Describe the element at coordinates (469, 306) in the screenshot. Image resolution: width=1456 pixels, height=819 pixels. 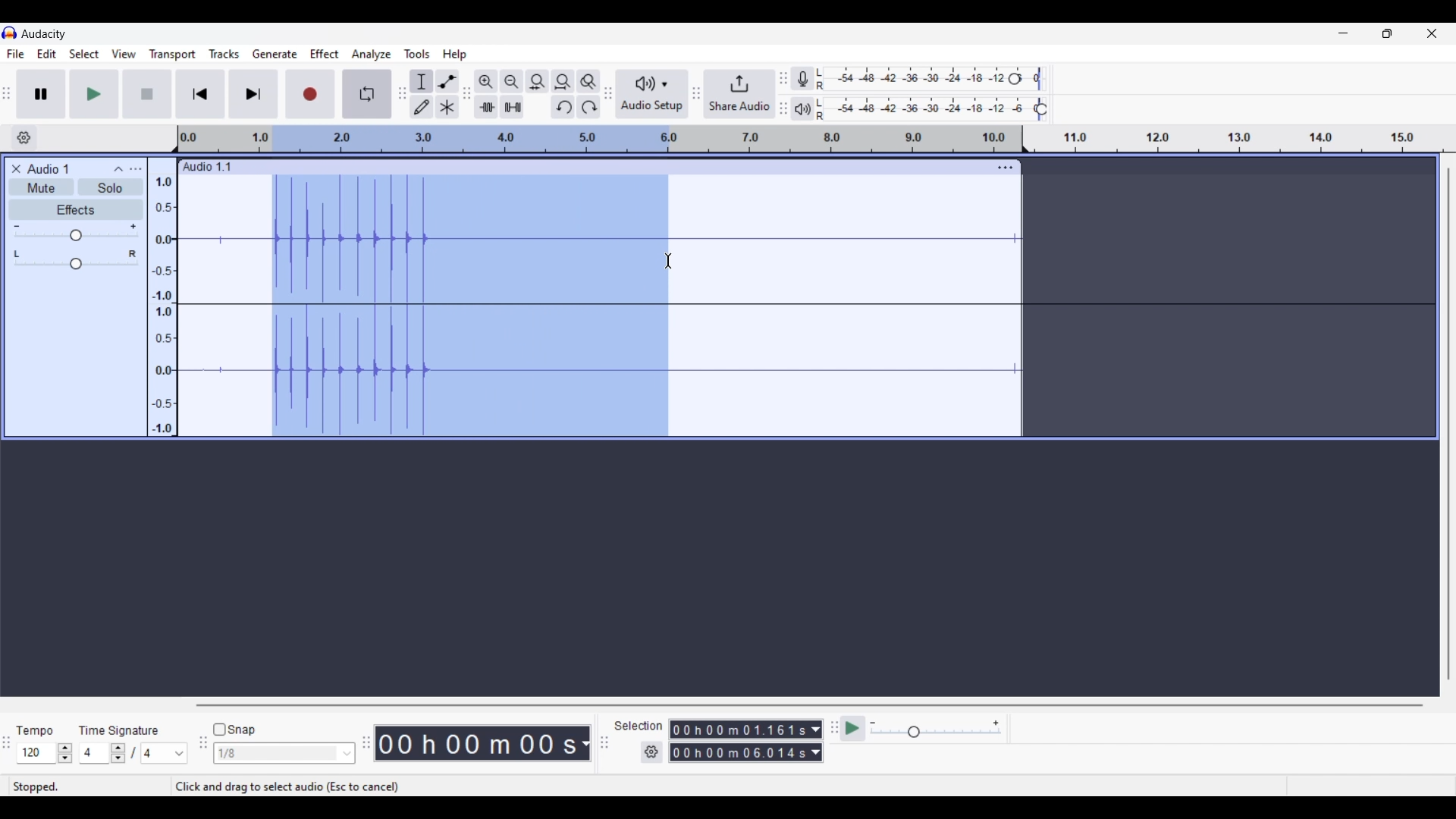
I see `Portion of recorded audio track selected` at that location.